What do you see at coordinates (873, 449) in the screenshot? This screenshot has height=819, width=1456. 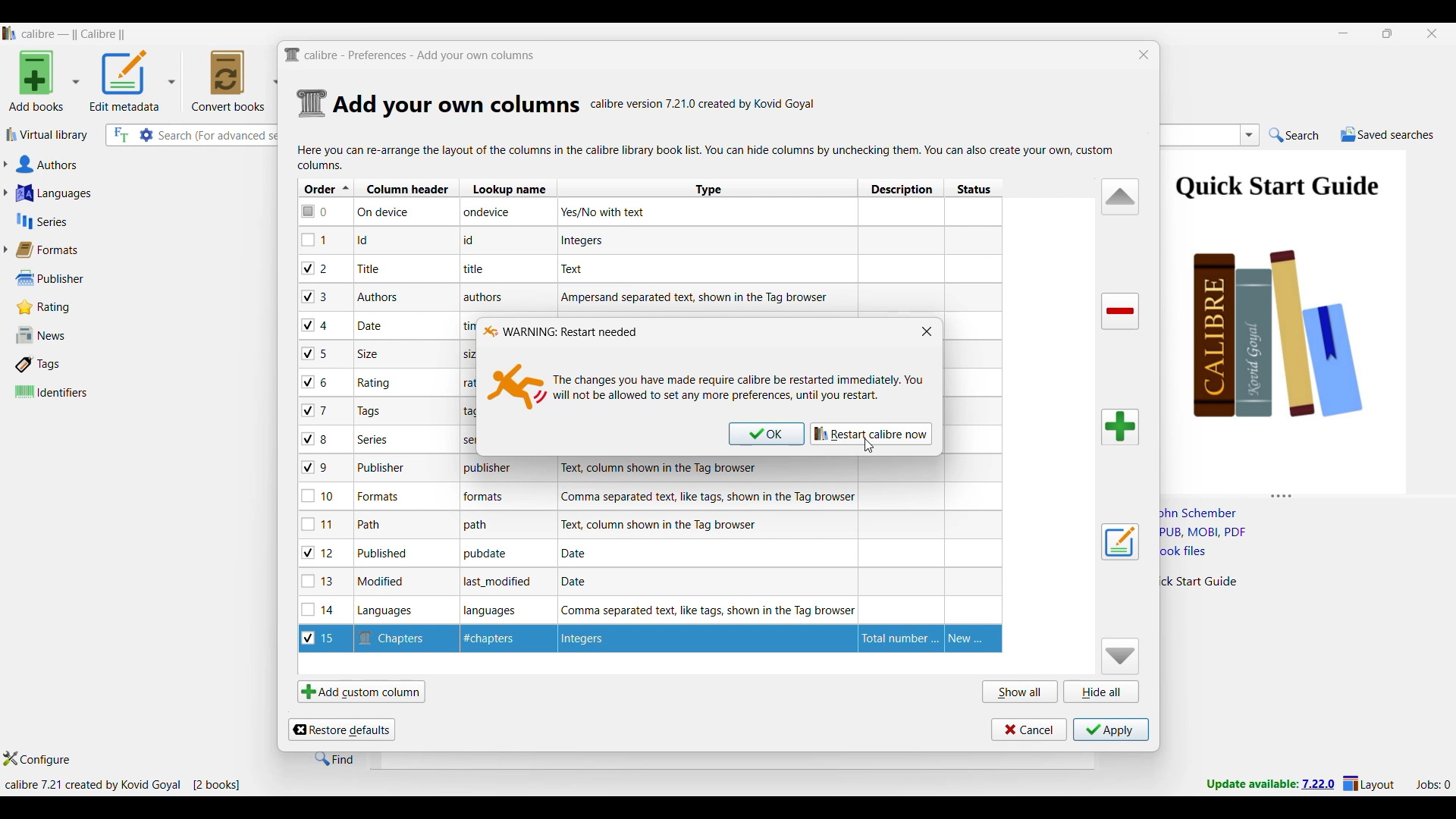 I see `cursor` at bounding box center [873, 449].